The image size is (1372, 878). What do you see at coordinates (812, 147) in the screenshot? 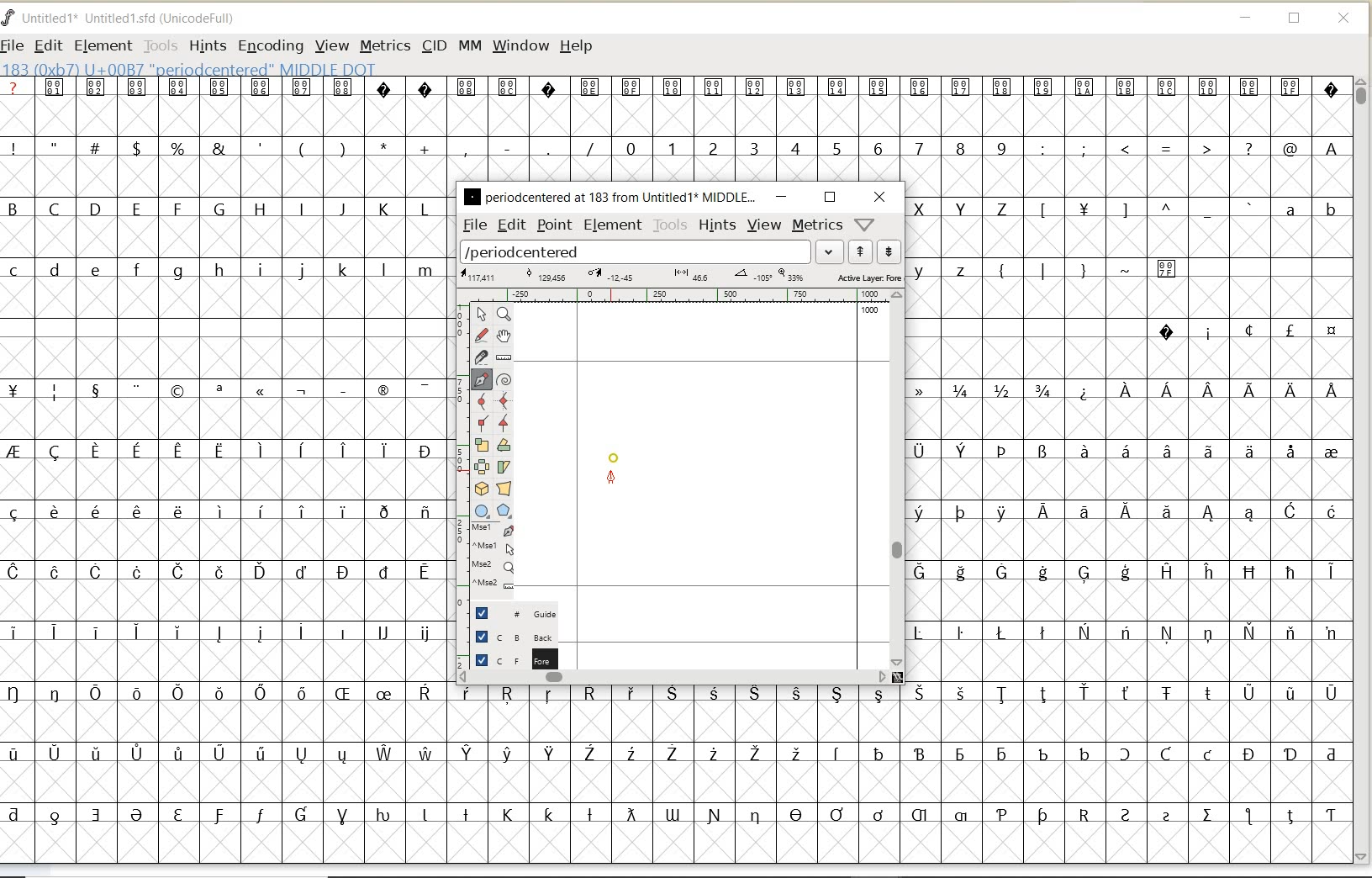
I see `numbers` at bounding box center [812, 147].